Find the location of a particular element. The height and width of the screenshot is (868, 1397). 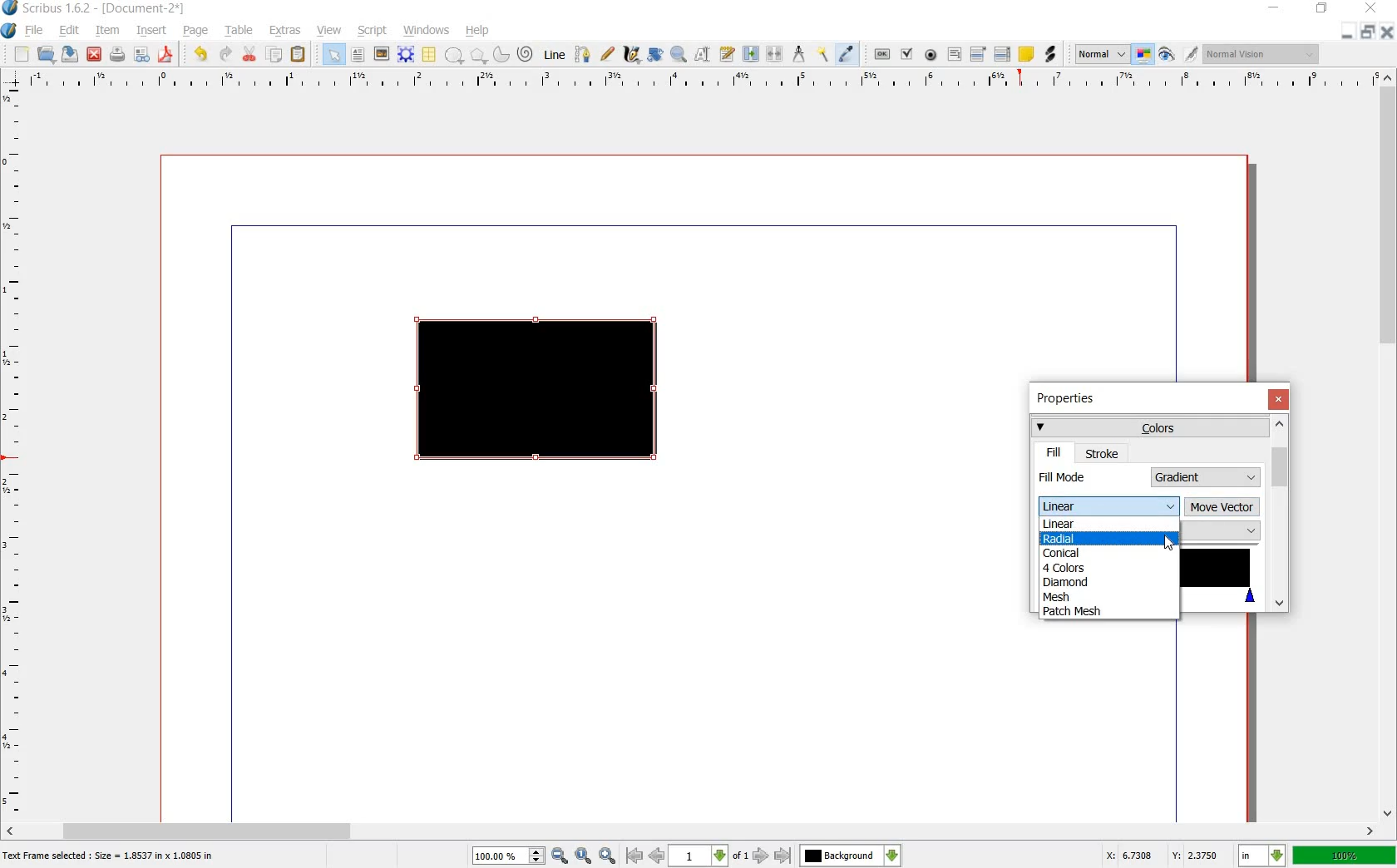

gradient added to shape is located at coordinates (540, 392).